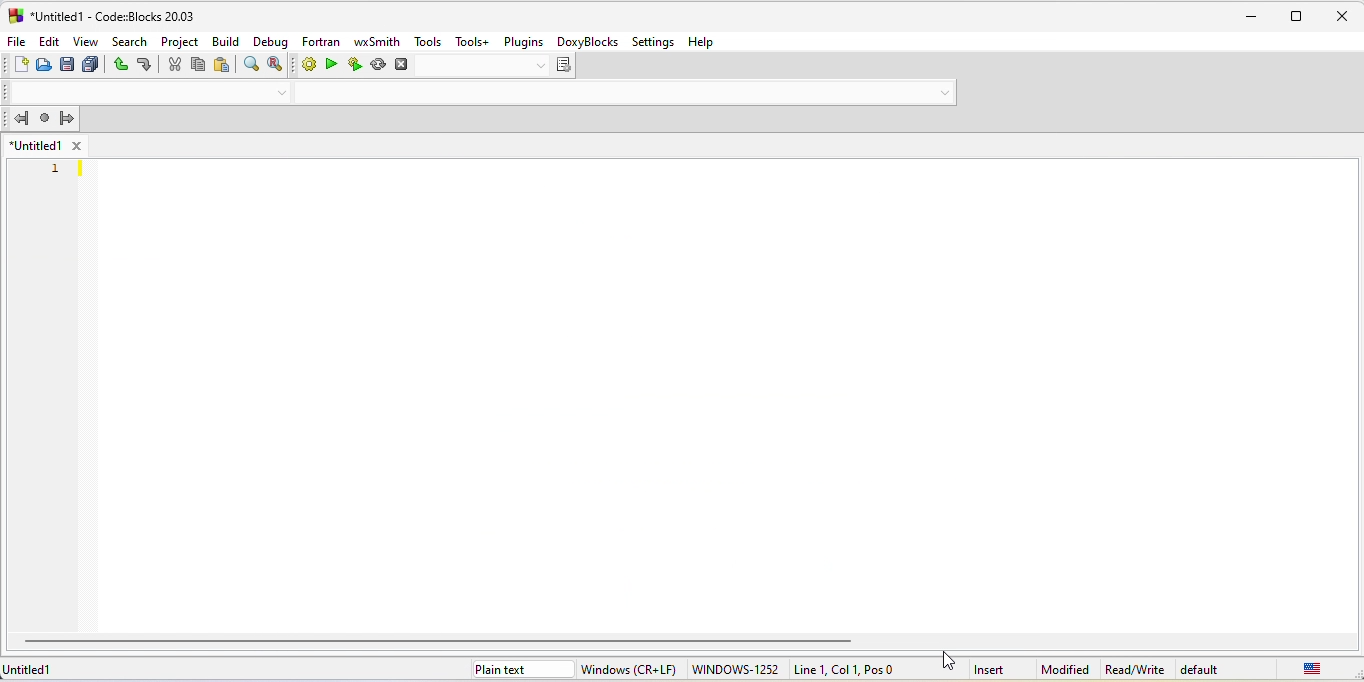 This screenshot has width=1364, height=682. I want to click on untitled 1, so click(35, 145).